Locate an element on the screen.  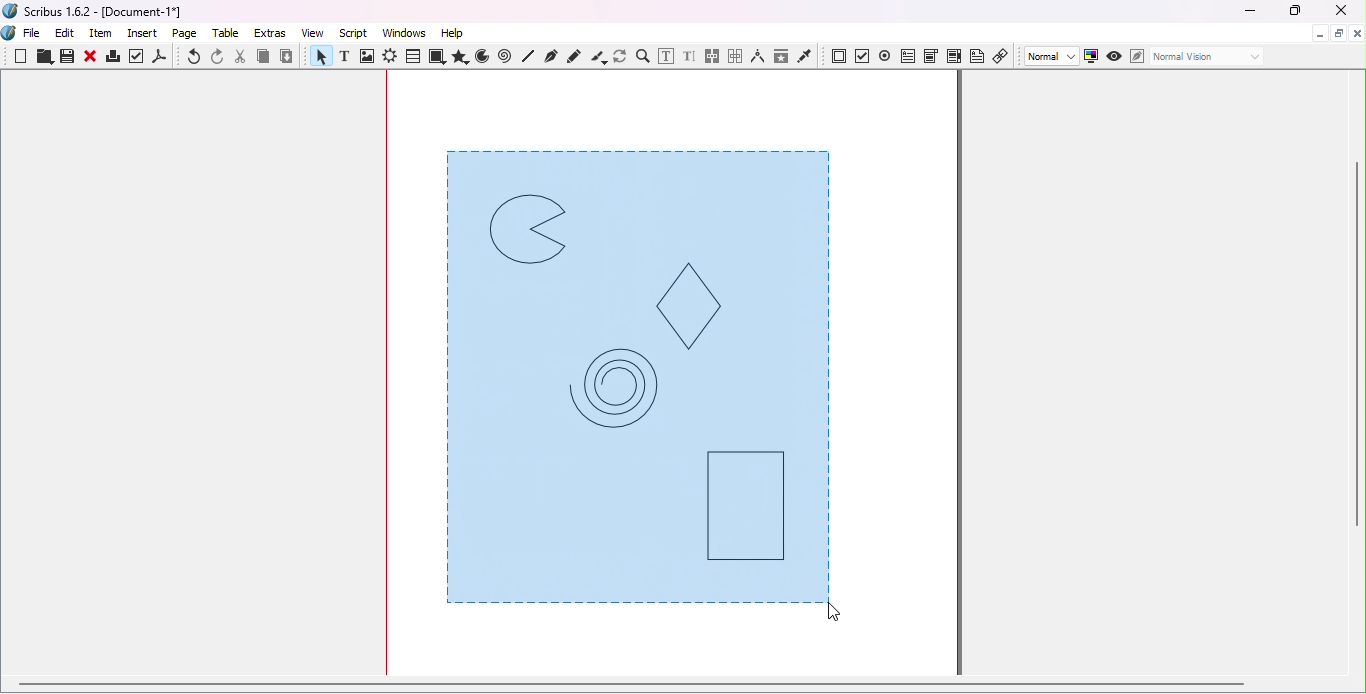
Measurements is located at coordinates (757, 56).